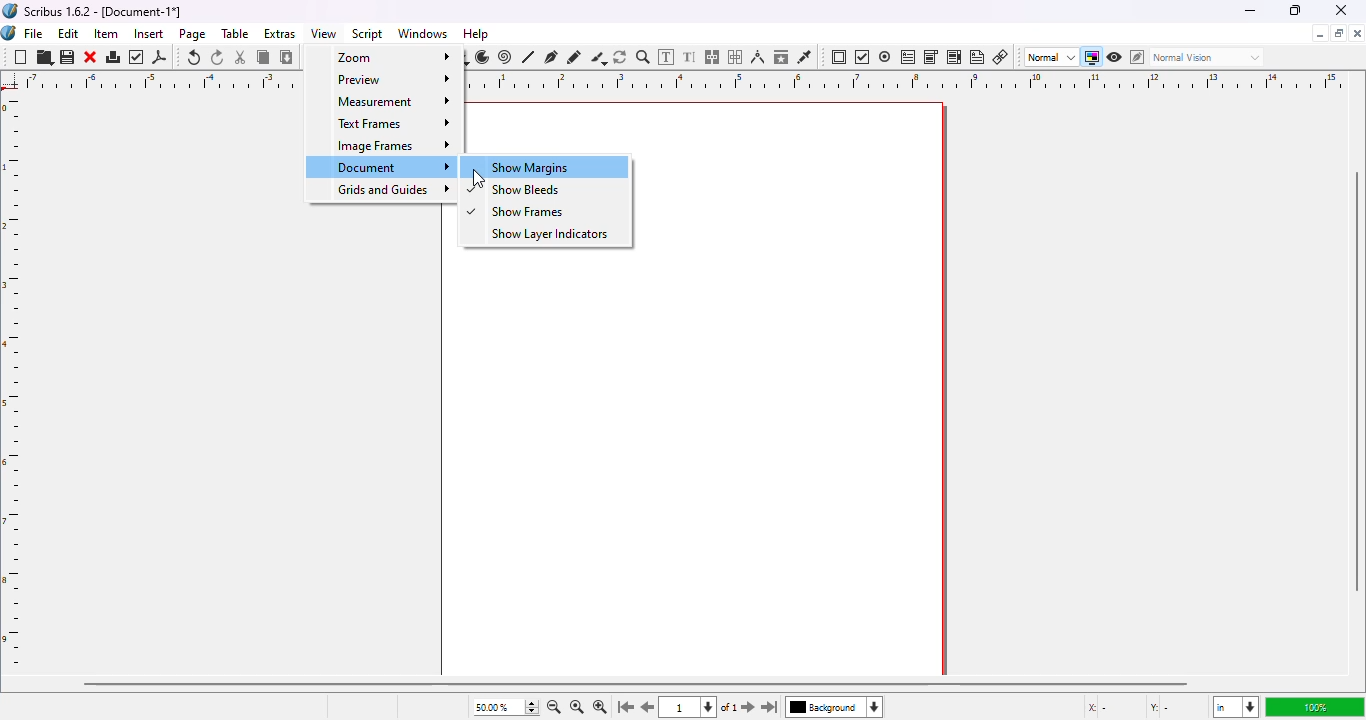 The image size is (1366, 720). What do you see at coordinates (20, 58) in the screenshot?
I see `new` at bounding box center [20, 58].